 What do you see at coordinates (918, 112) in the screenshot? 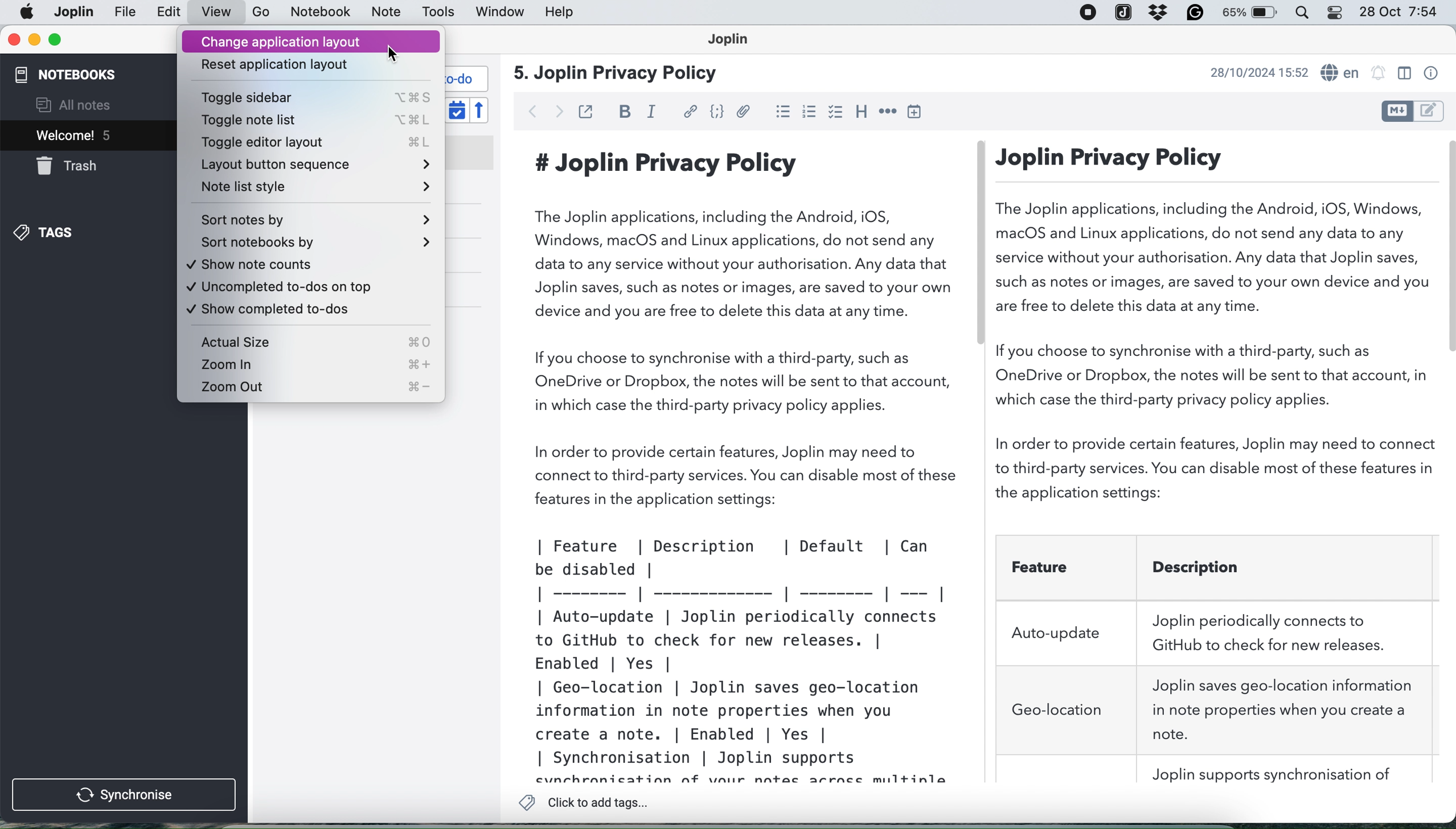
I see `insert time` at bounding box center [918, 112].